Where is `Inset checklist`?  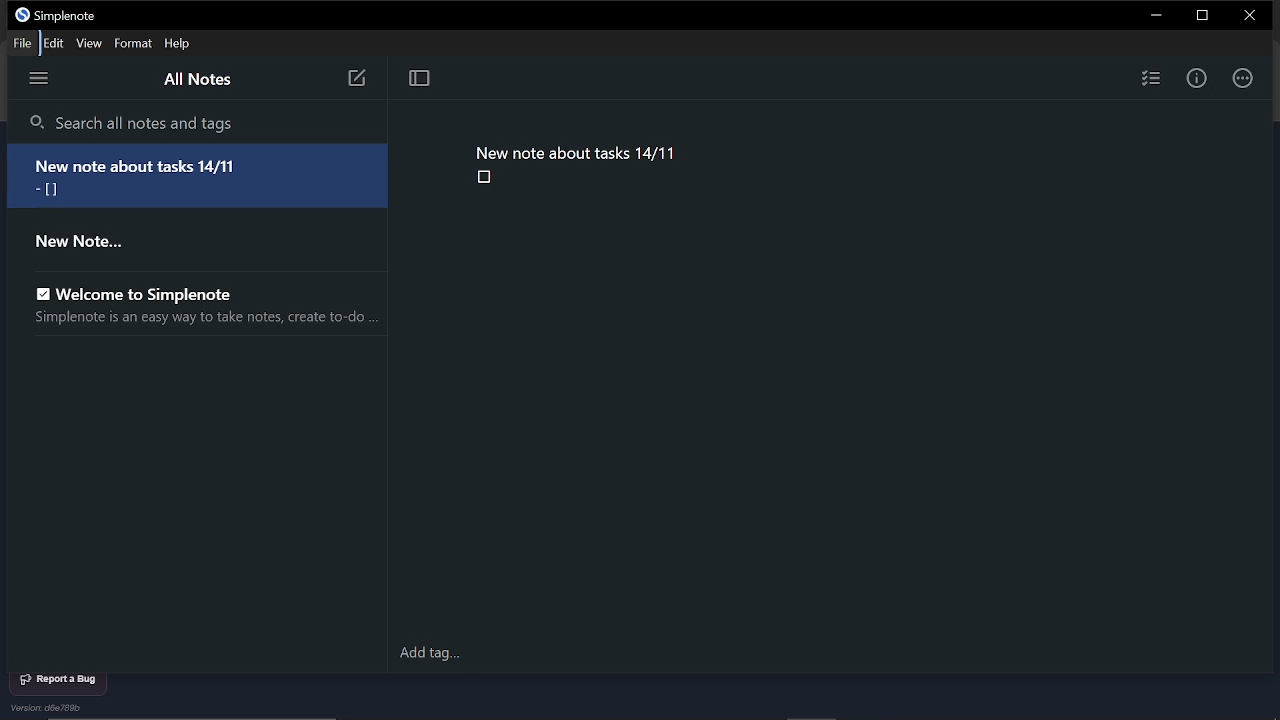
Inset checklist is located at coordinates (1150, 79).